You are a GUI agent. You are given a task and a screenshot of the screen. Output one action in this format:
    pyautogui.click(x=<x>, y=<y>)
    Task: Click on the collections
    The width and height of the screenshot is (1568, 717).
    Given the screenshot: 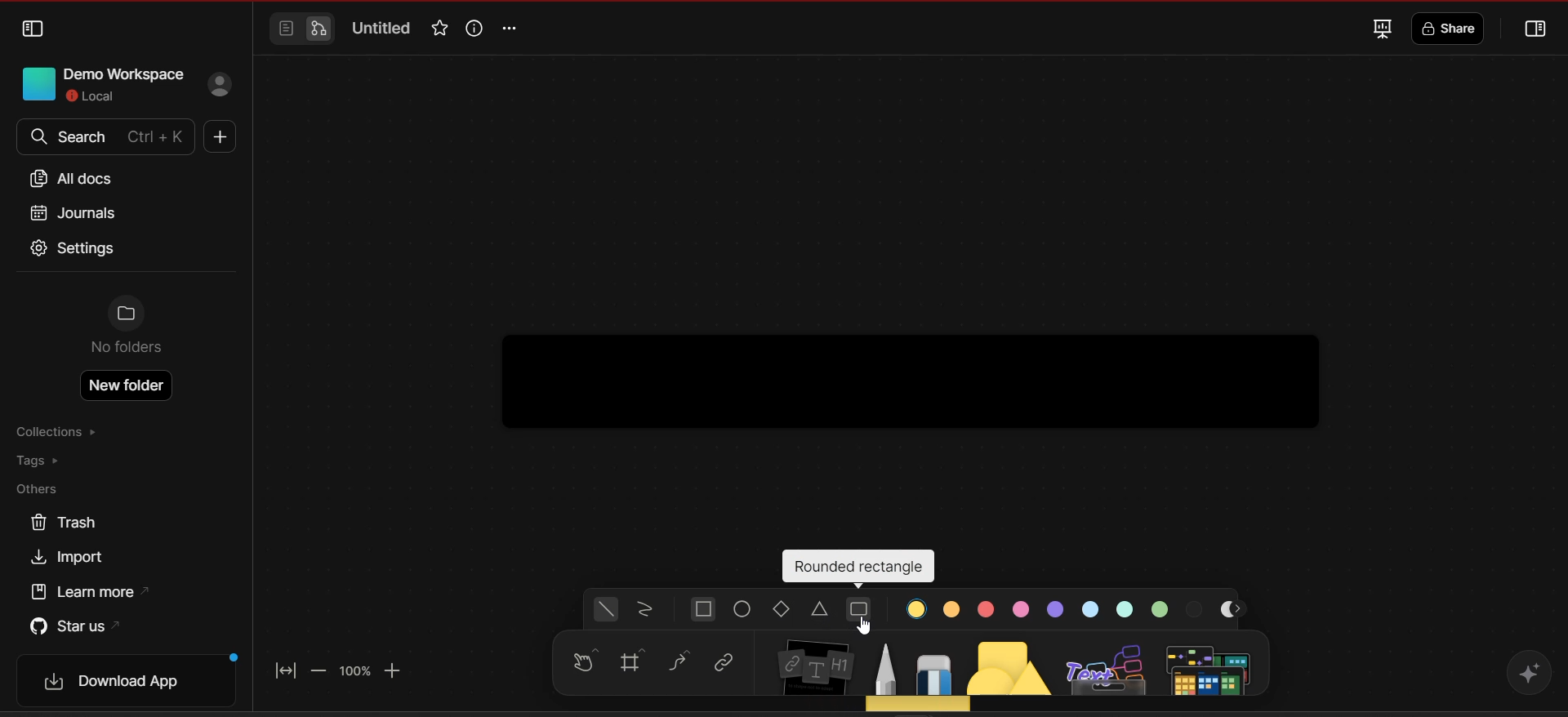 What is the action you would take?
    pyautogui.click(x=60, y=433)
    